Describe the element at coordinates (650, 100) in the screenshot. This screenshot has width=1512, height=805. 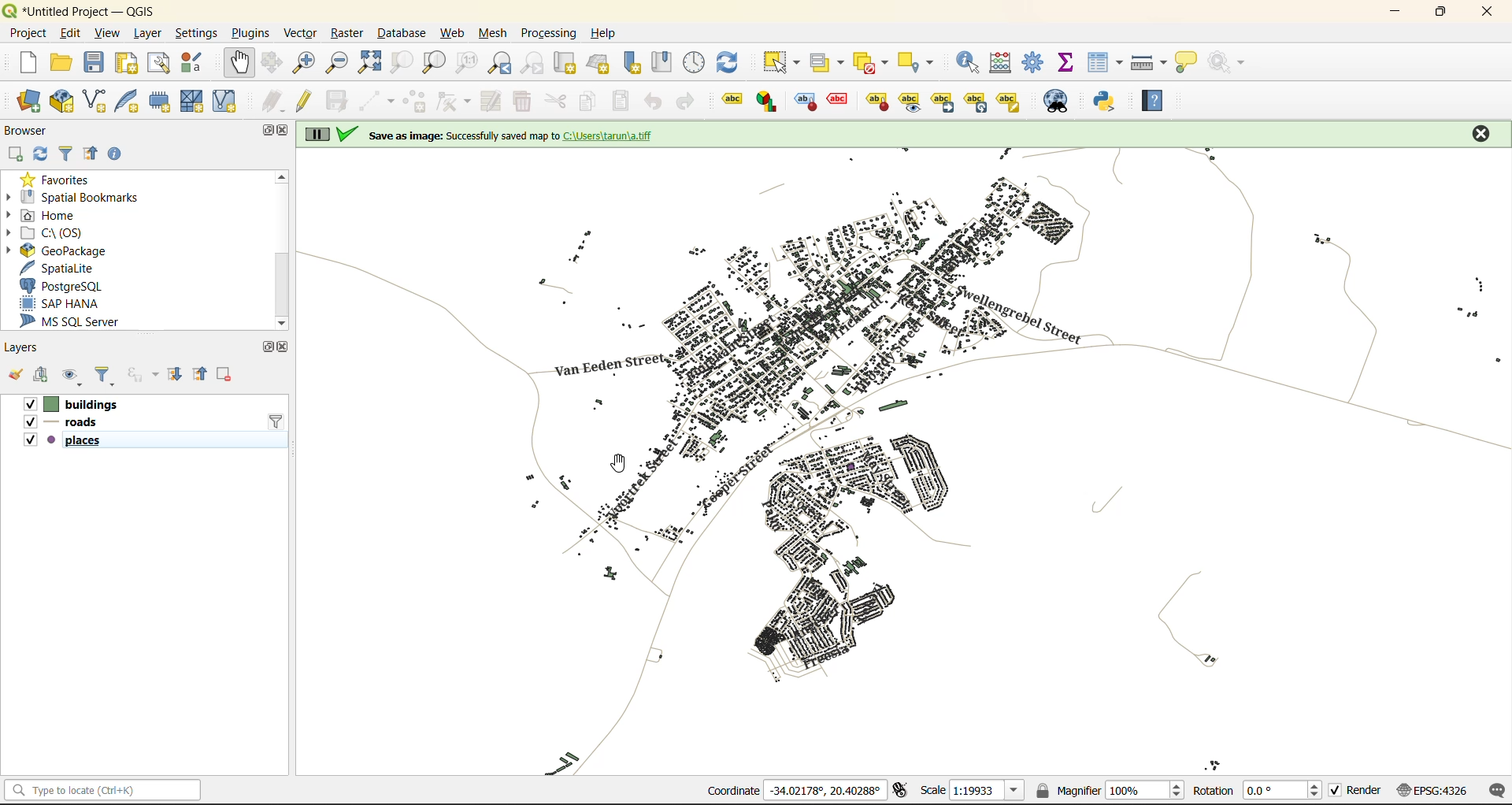
I see `undo` at that location.